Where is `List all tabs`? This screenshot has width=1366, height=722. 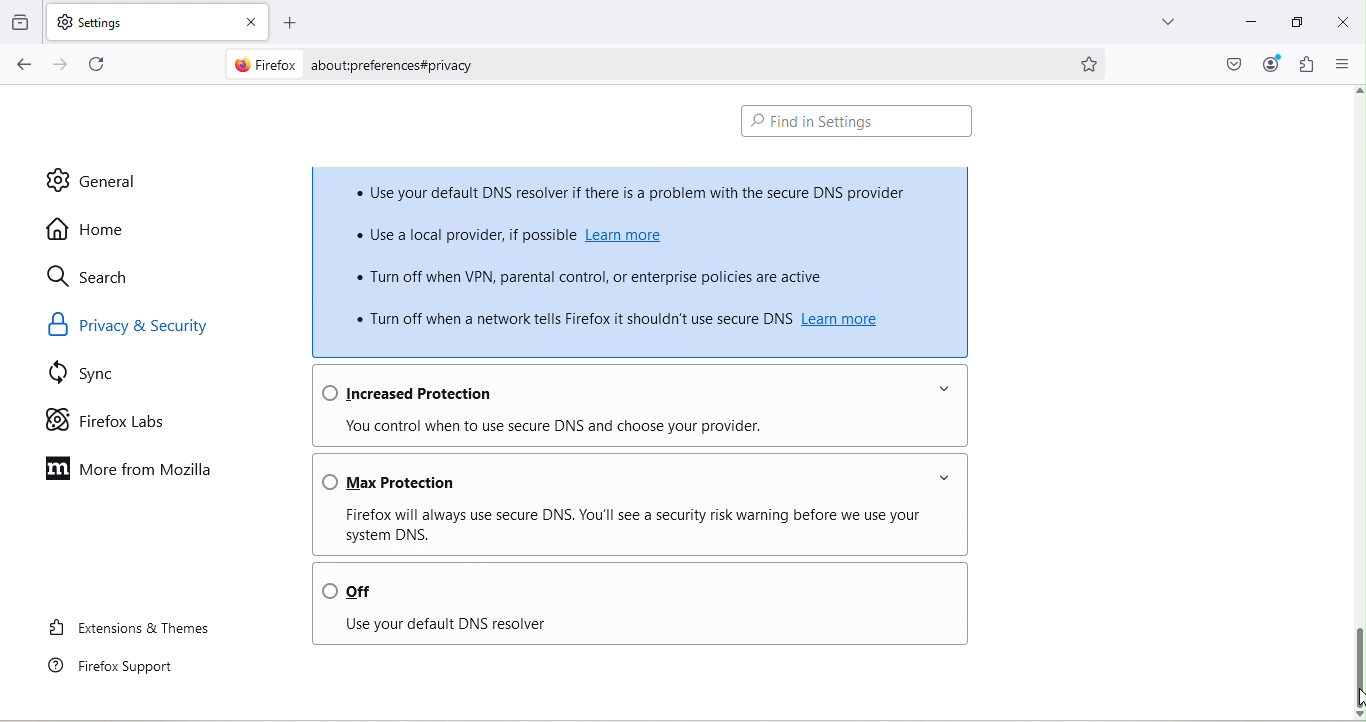 List all tabs is located at coordinates (1167, 25).